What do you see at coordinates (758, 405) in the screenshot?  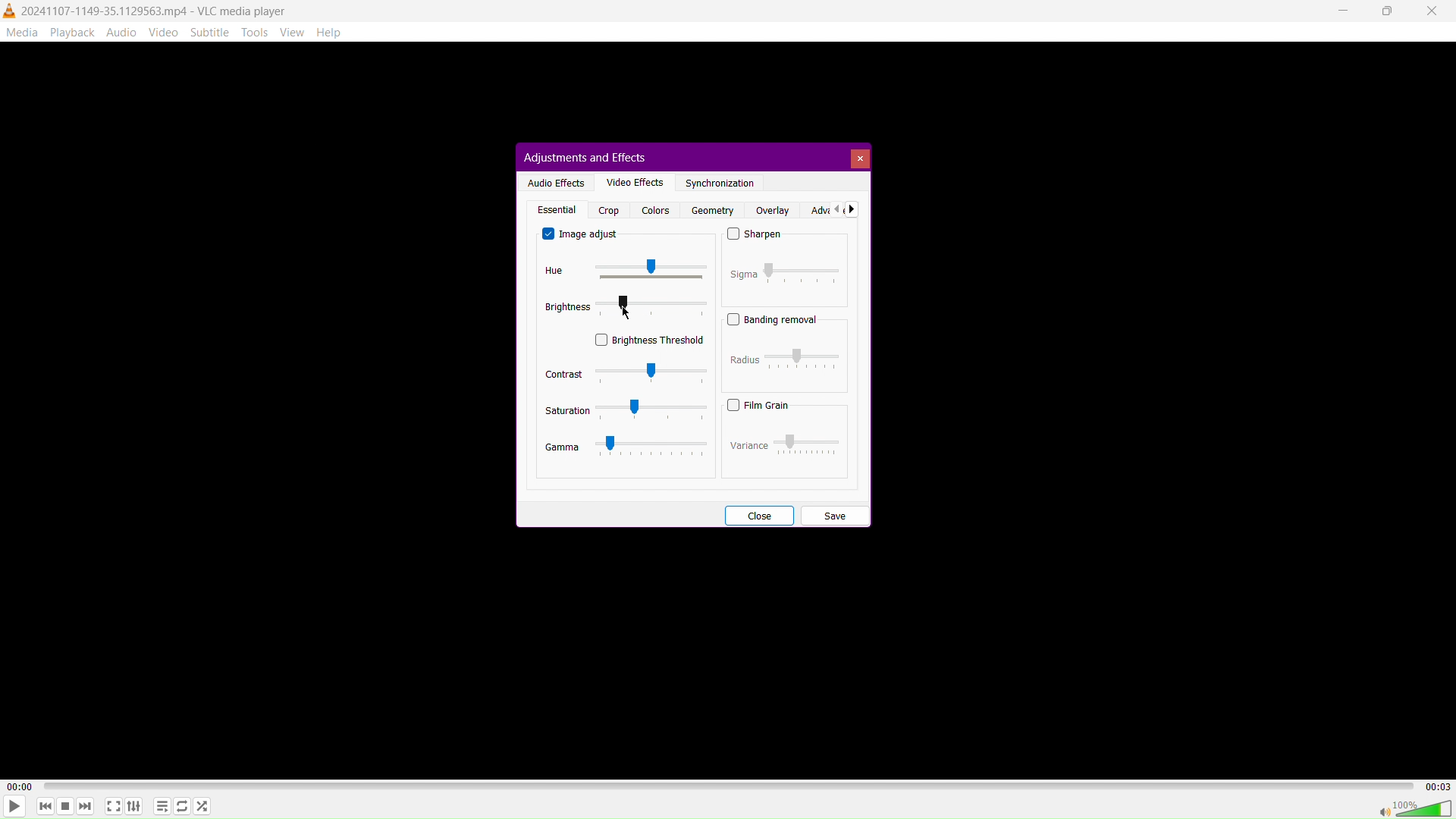 I see `Film Grain` at bounding box center [758, 405].